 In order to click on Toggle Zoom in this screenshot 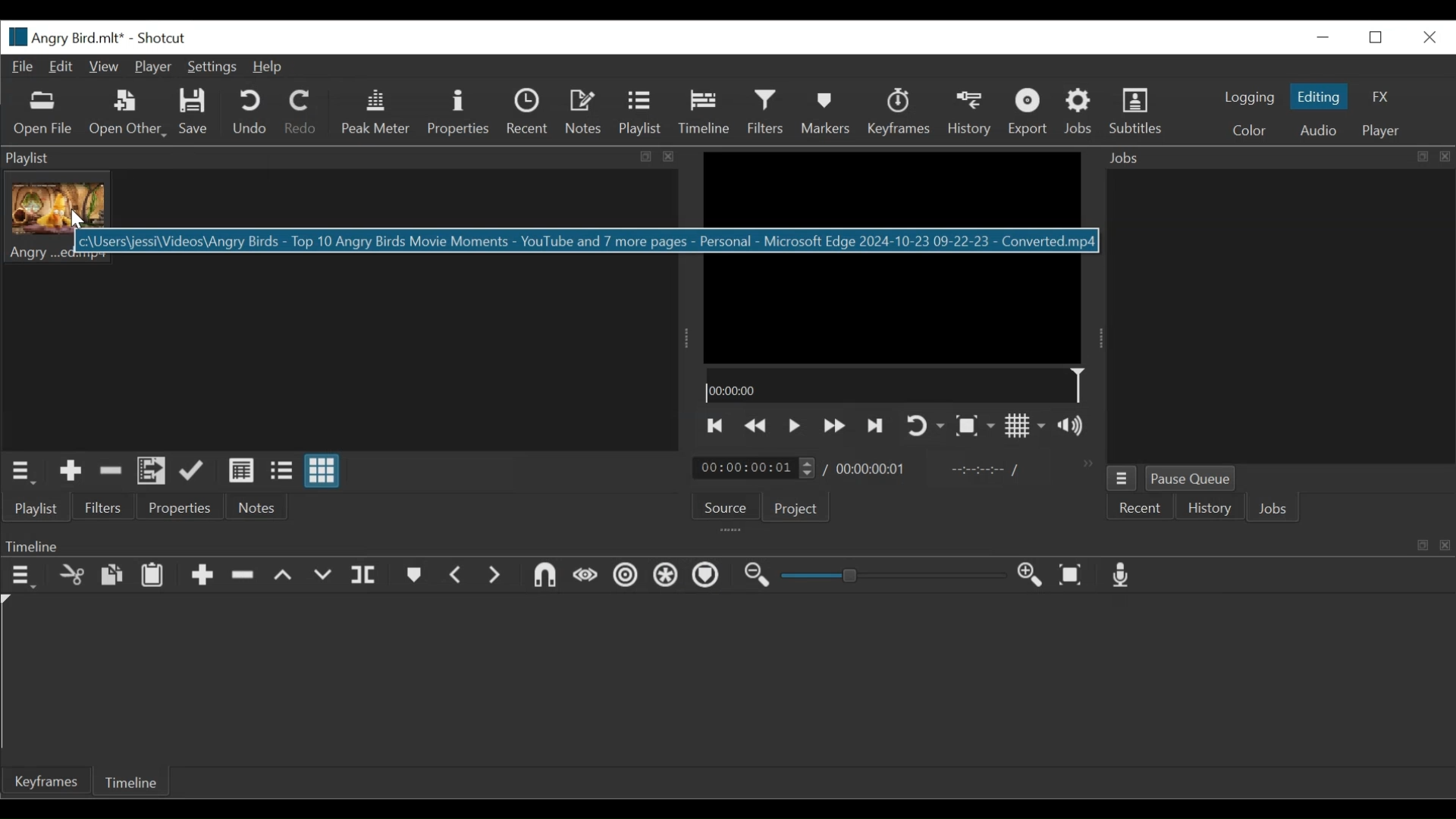, I will do `click(973, 426)`.